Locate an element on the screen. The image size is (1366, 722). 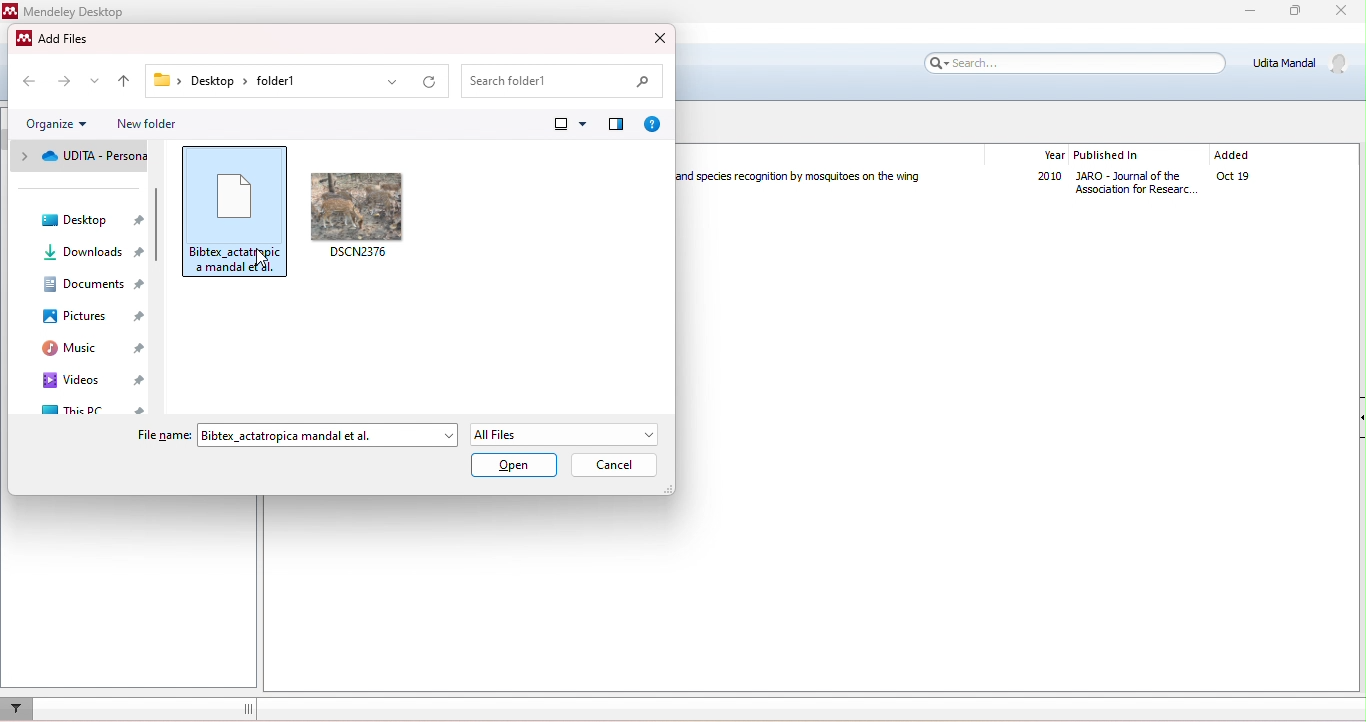
Cursor is located at coordinates (263, 258).